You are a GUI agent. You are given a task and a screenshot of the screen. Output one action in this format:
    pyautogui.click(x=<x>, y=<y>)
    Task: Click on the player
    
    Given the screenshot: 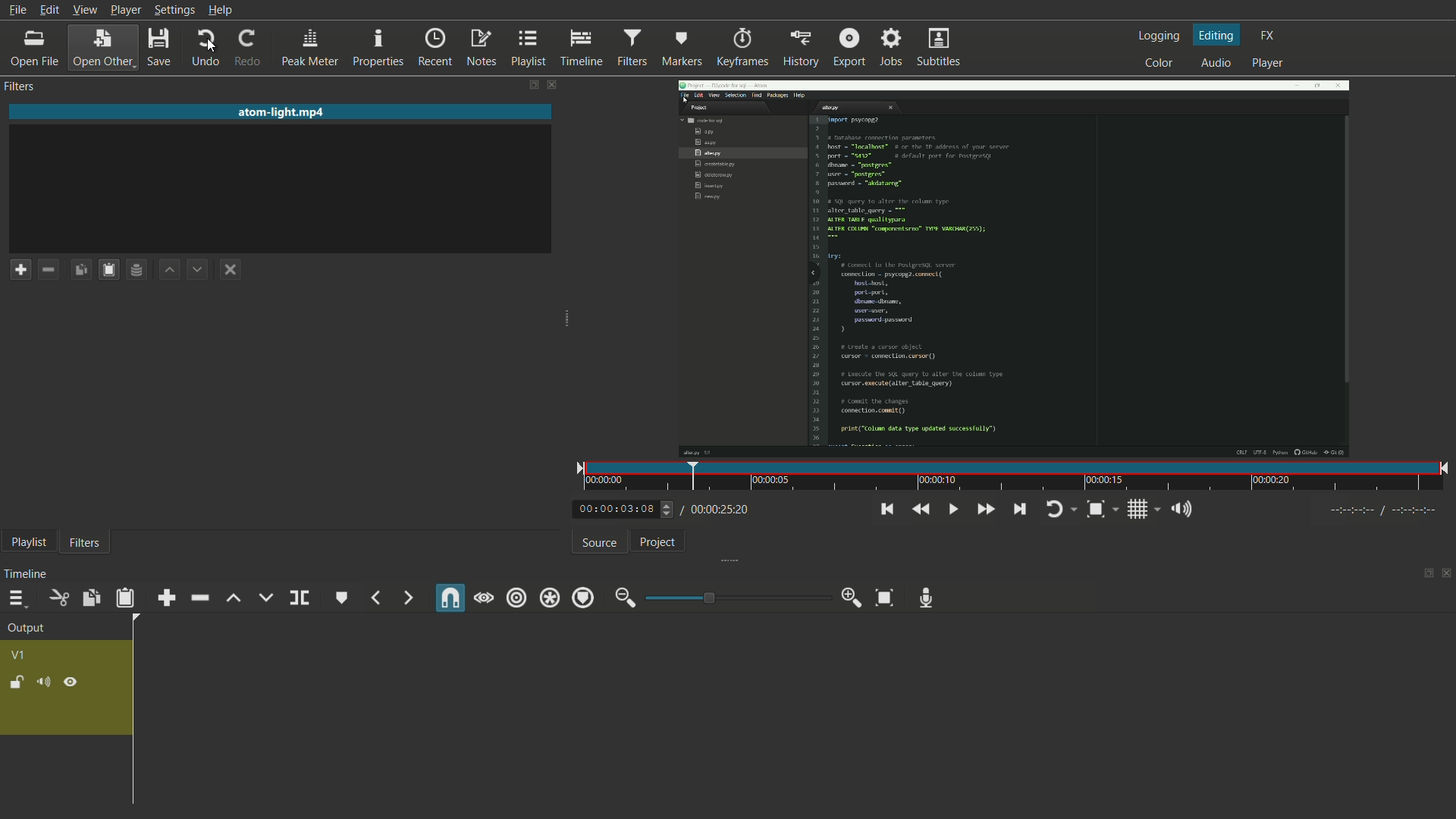 What is the action you would take?
    pyautogui.click(x=1272, y=63)
    